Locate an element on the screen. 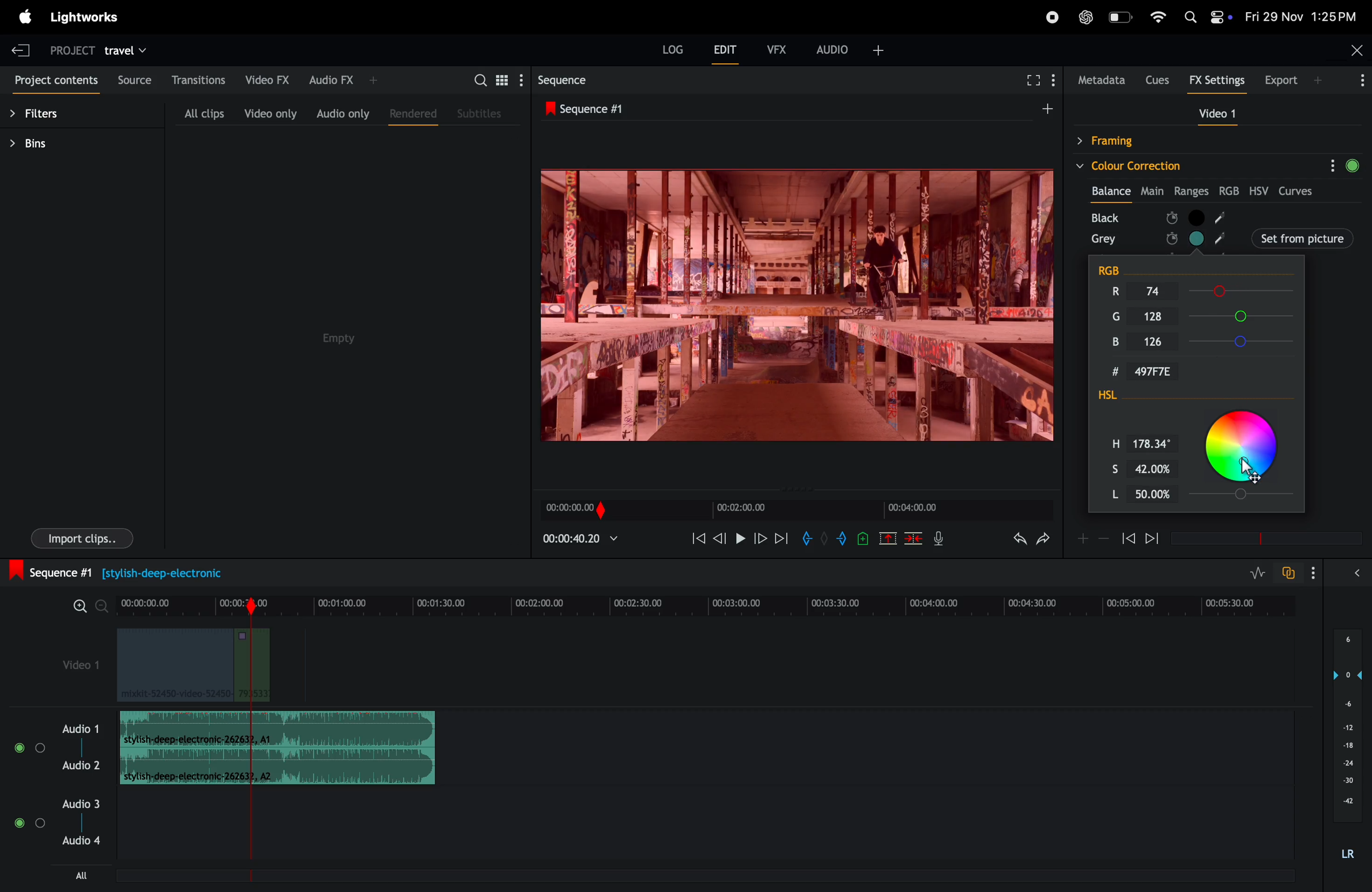 The height and width of the screenshot is (892, 1372). rewind  is located at coordinates (698, 538).